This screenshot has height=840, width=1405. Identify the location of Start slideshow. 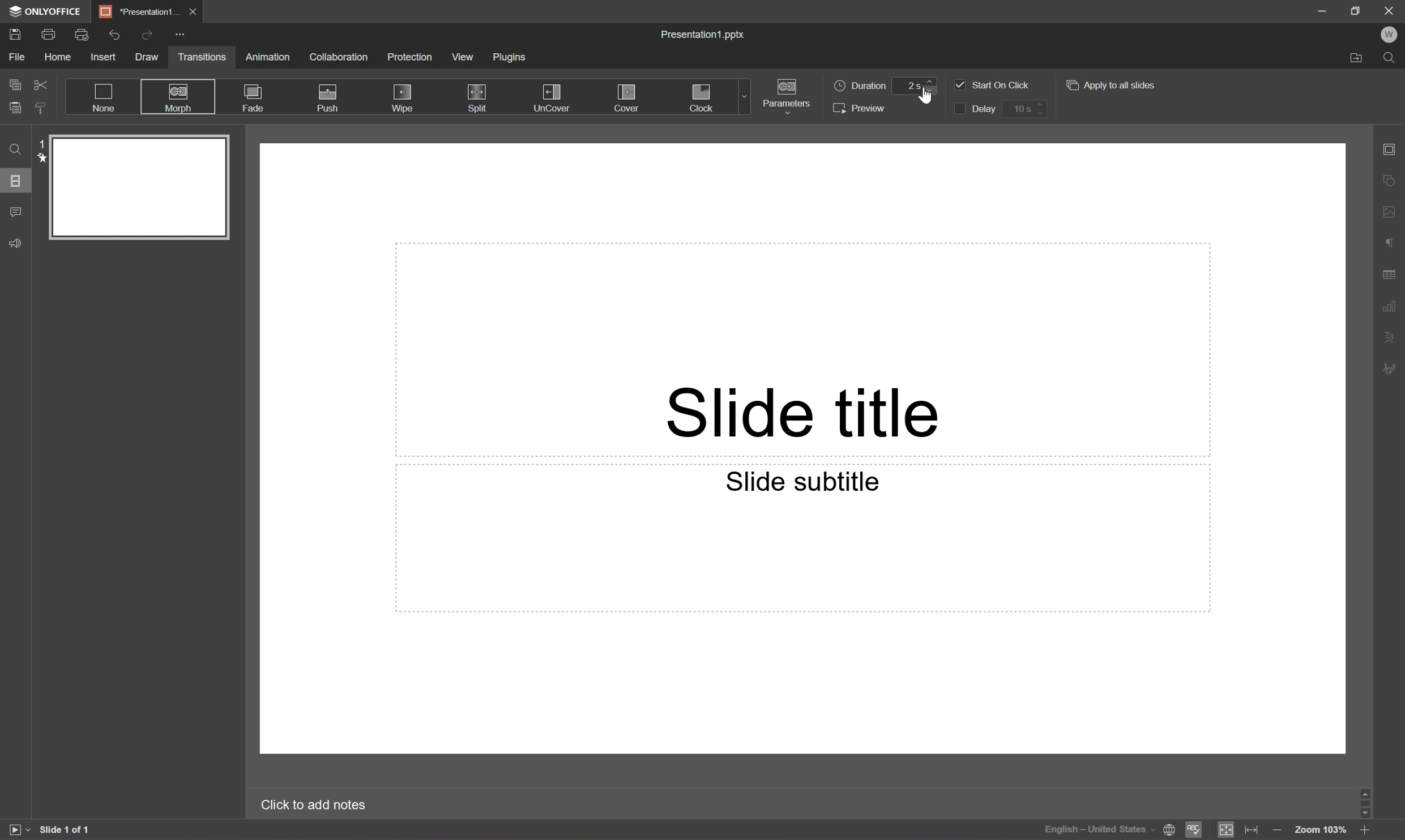
(15, 830).